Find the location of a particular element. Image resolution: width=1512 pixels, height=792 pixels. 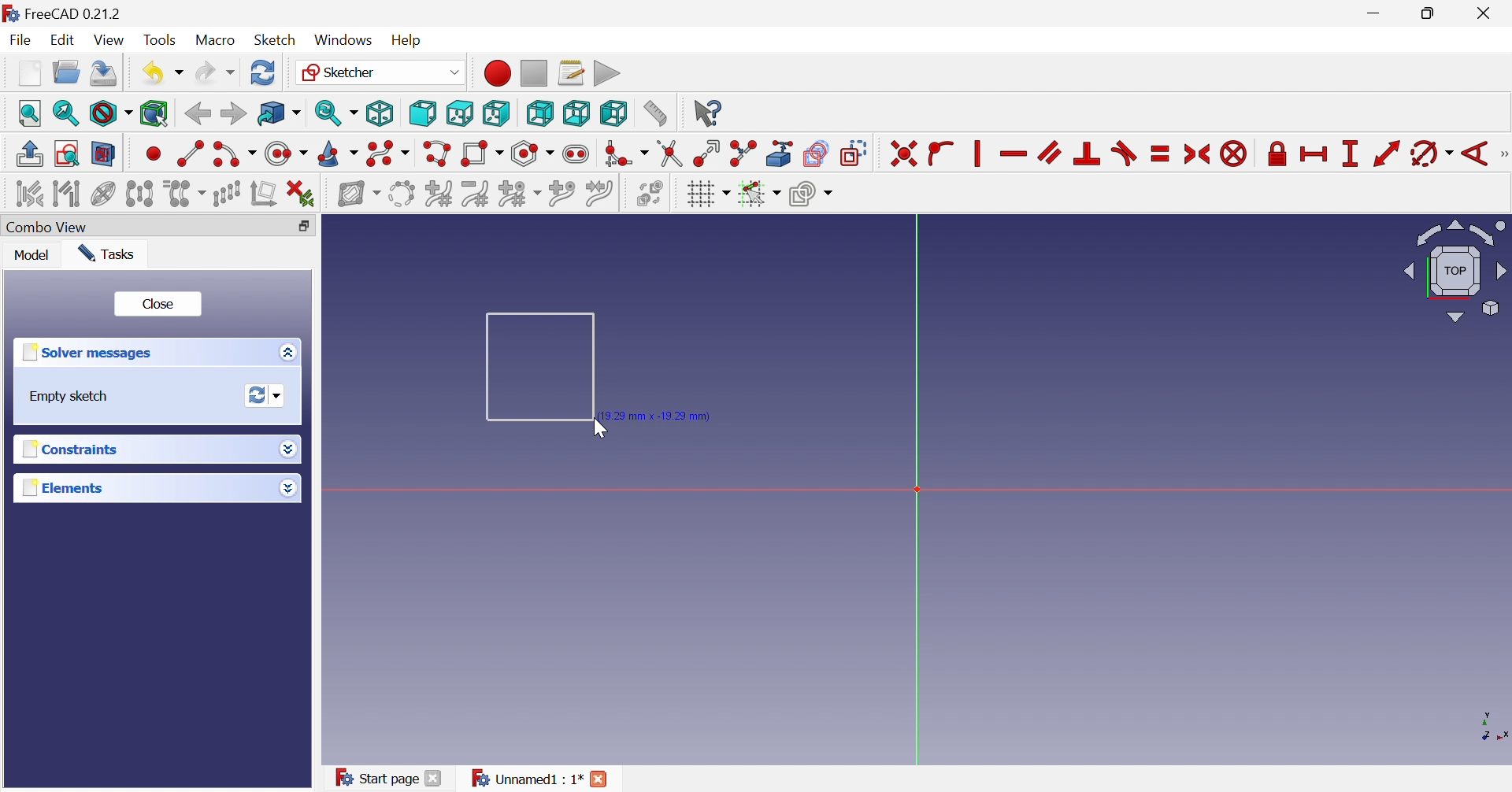

Isometric is located at coordinates (379, 114).